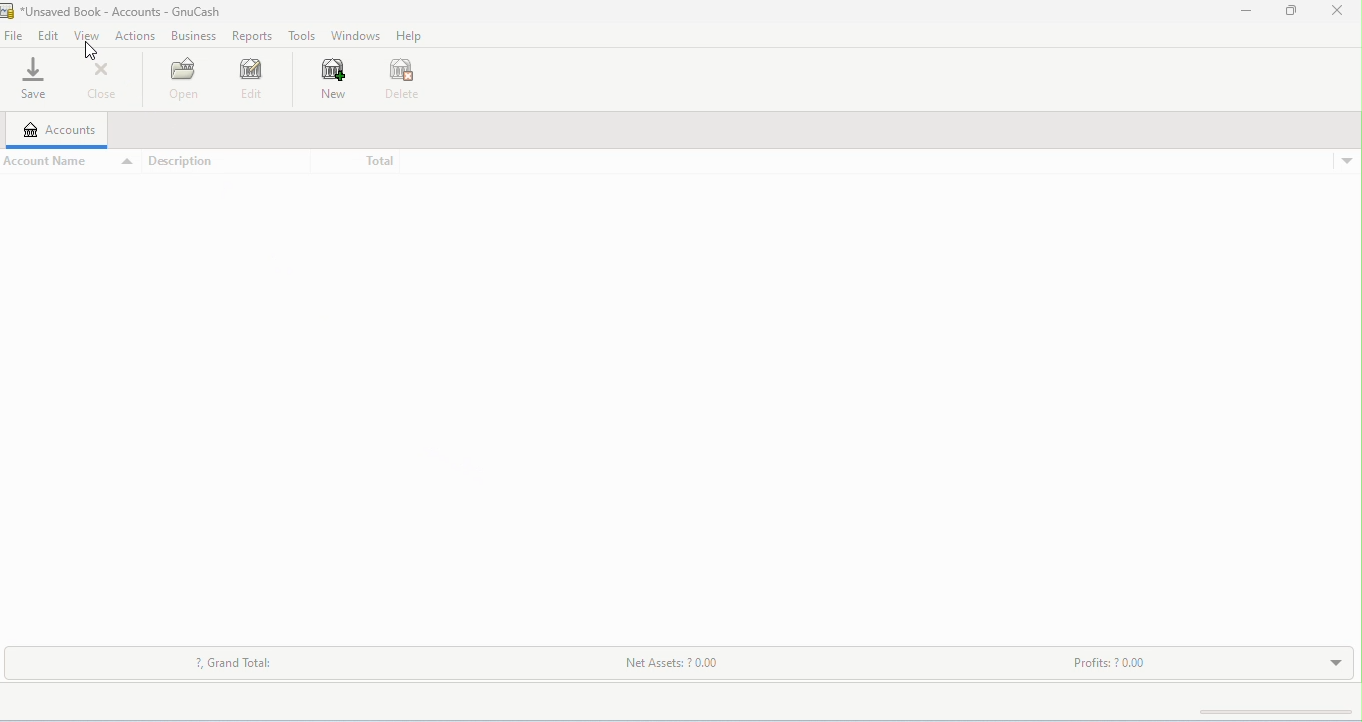  Describe the element at coordinates (187, 78) in the screenshot. I see `open` at that location.